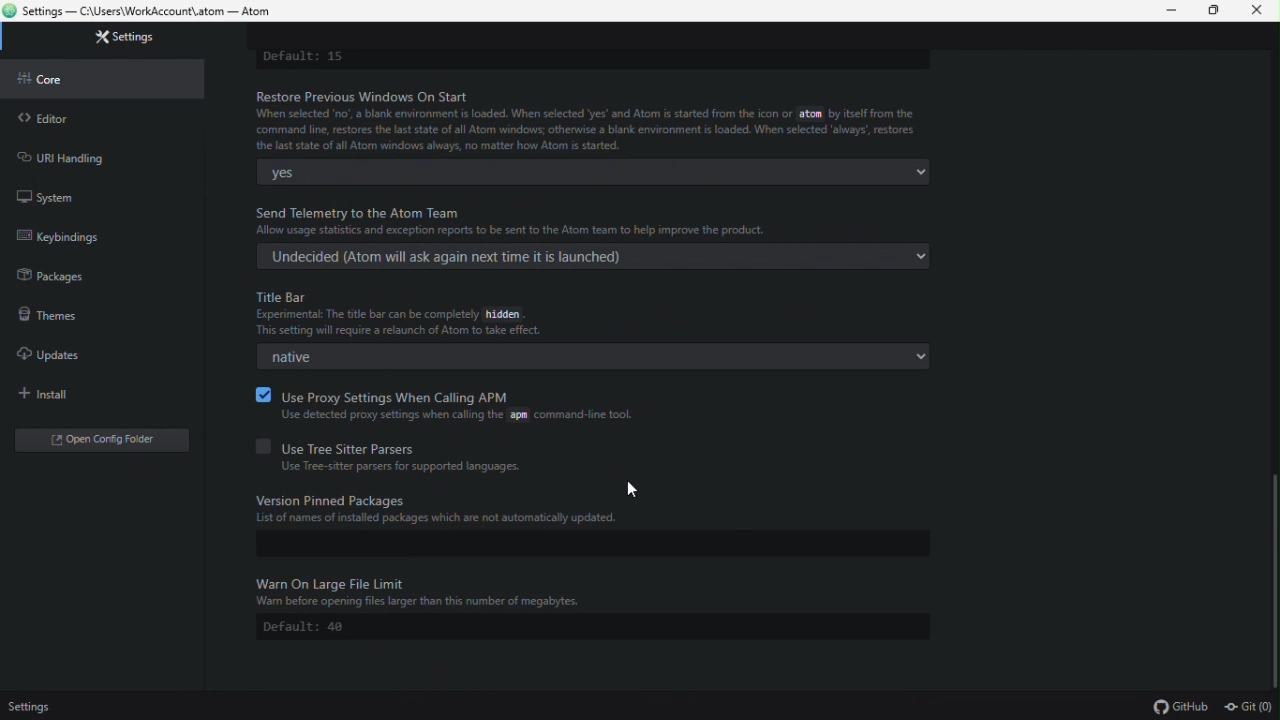  What do you see at coordinates (306, 57) in the screenshot?
I see `default 15` at bounding box center [306, 57].